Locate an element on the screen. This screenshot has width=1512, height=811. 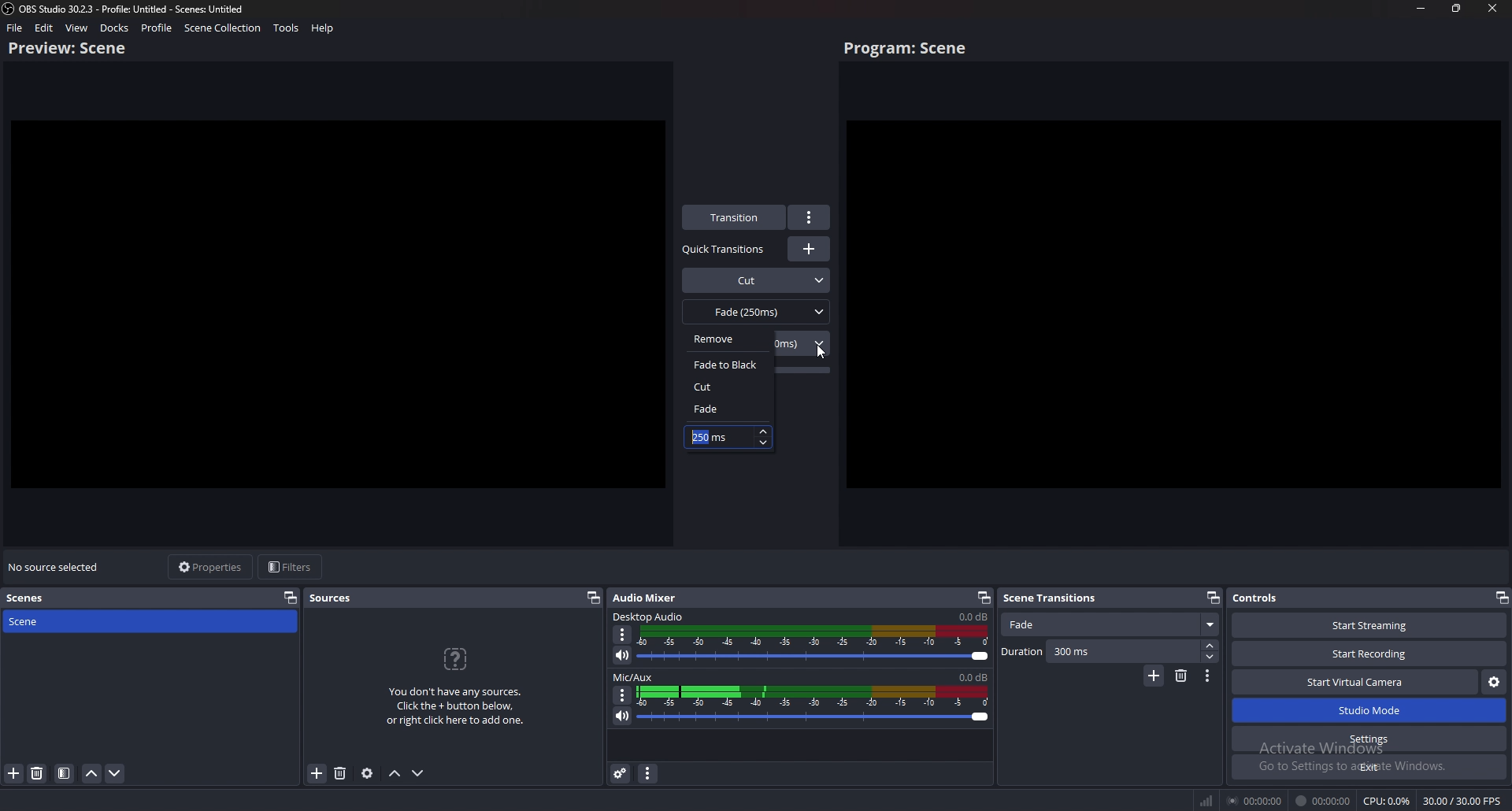
program scene is located at coordinates (909, 49).